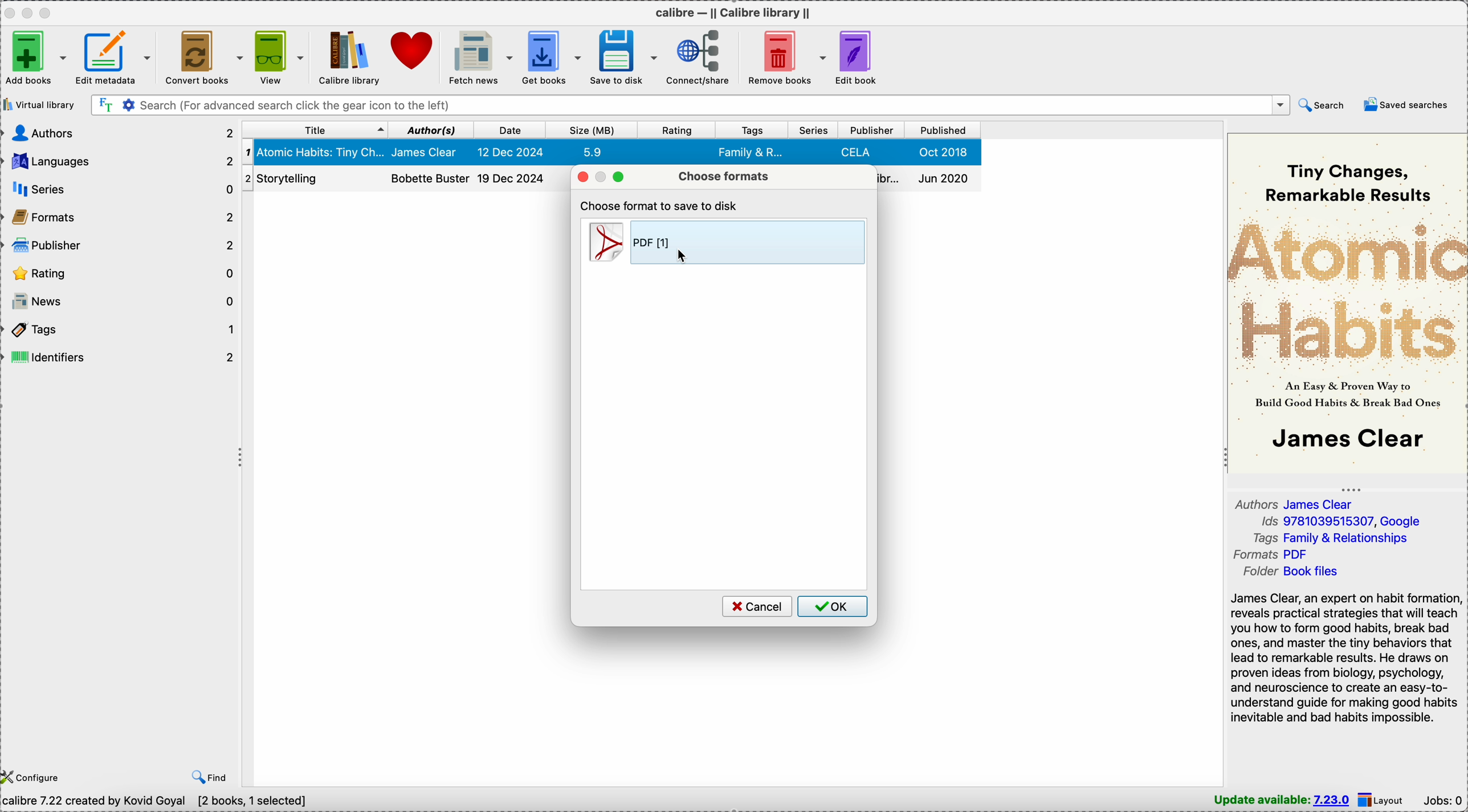  Describe the element at coordinates (695, 57) in the screenshot. I see `connect/share` at that location.